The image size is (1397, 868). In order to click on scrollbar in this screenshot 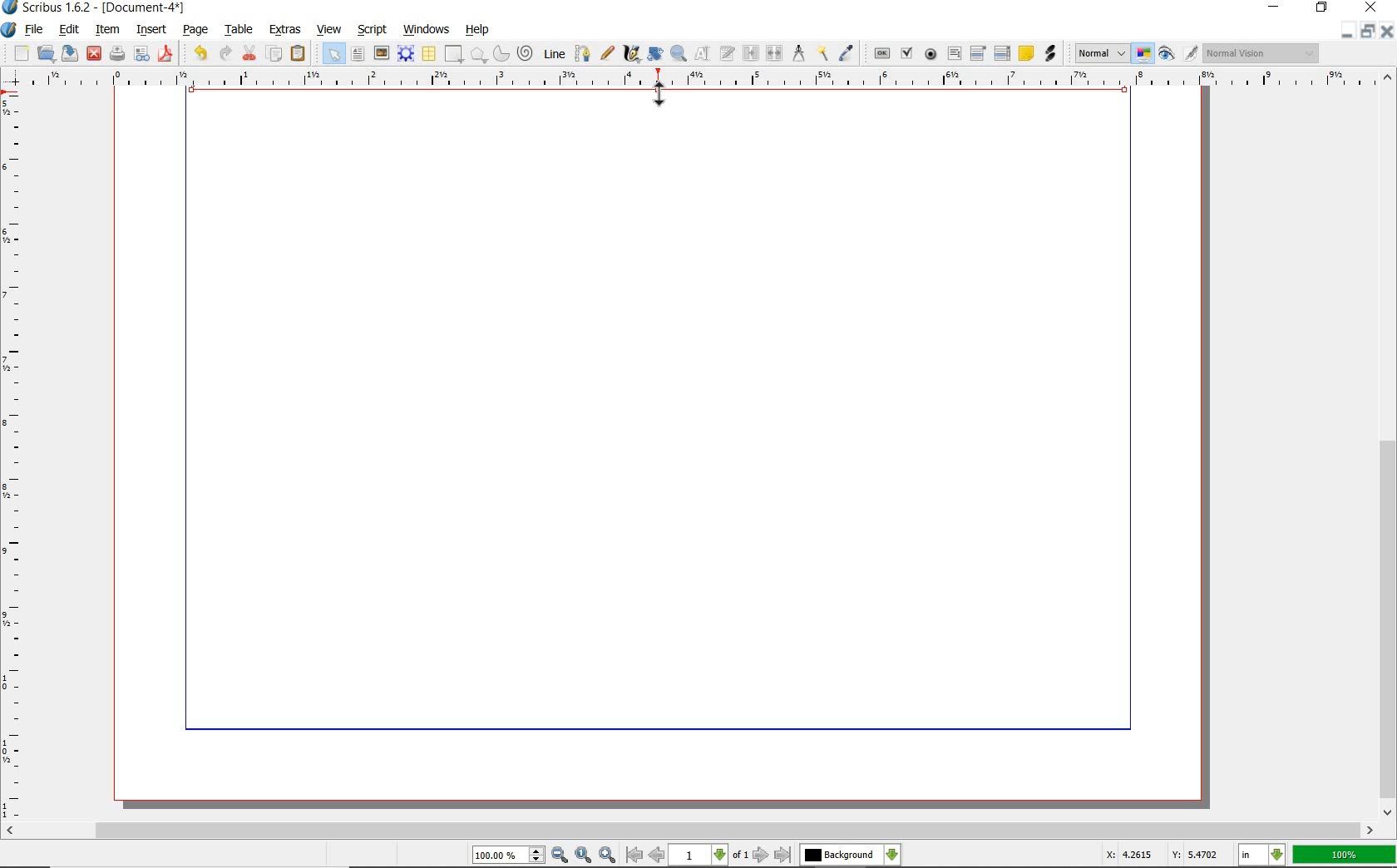, I will do `click(1387, 445)`.